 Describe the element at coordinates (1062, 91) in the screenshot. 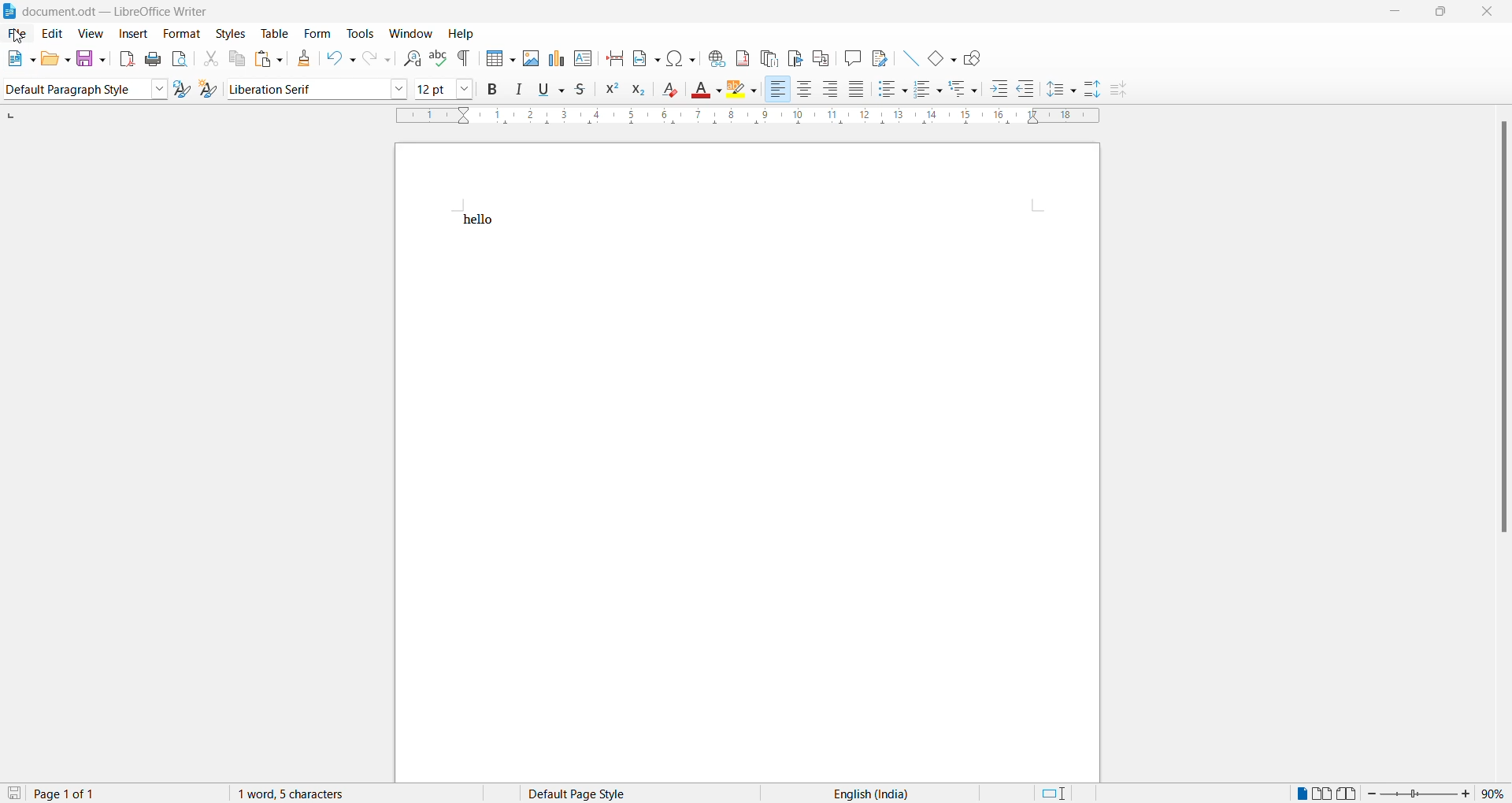

I see `Line spacing options` at that location.